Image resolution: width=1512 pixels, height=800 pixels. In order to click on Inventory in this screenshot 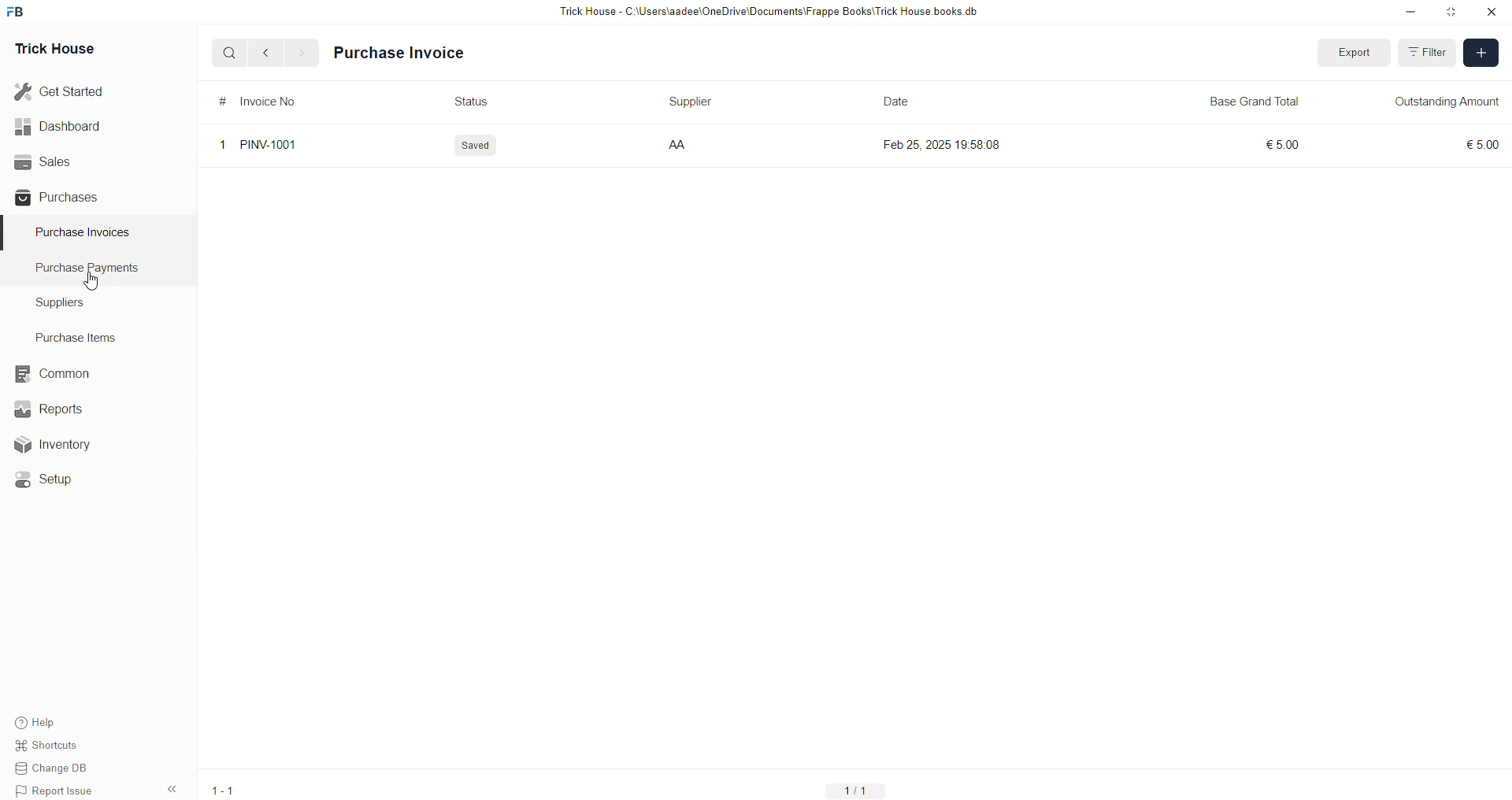, I will do `click(61, 448)`.